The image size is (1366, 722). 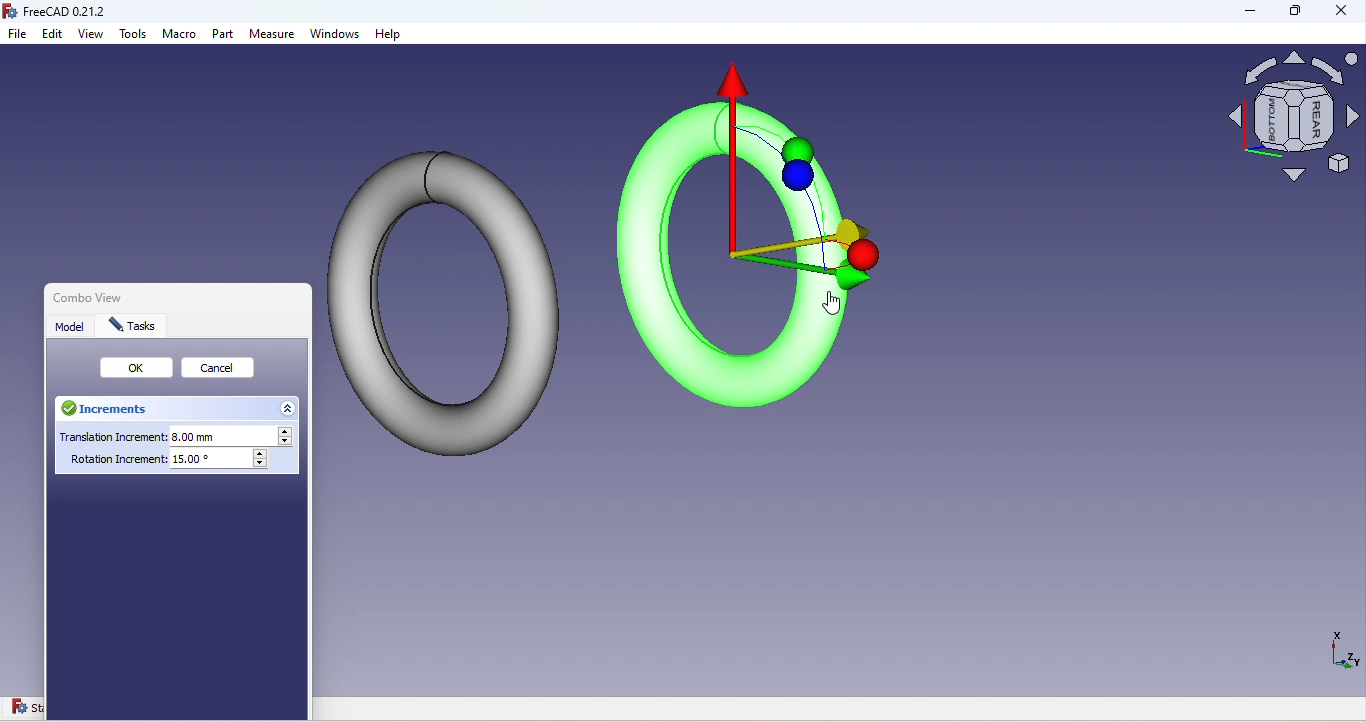 What do you see at coordinates (53, 35) in the screenshot?
I see `Edit` at bounding box center [53, 35].